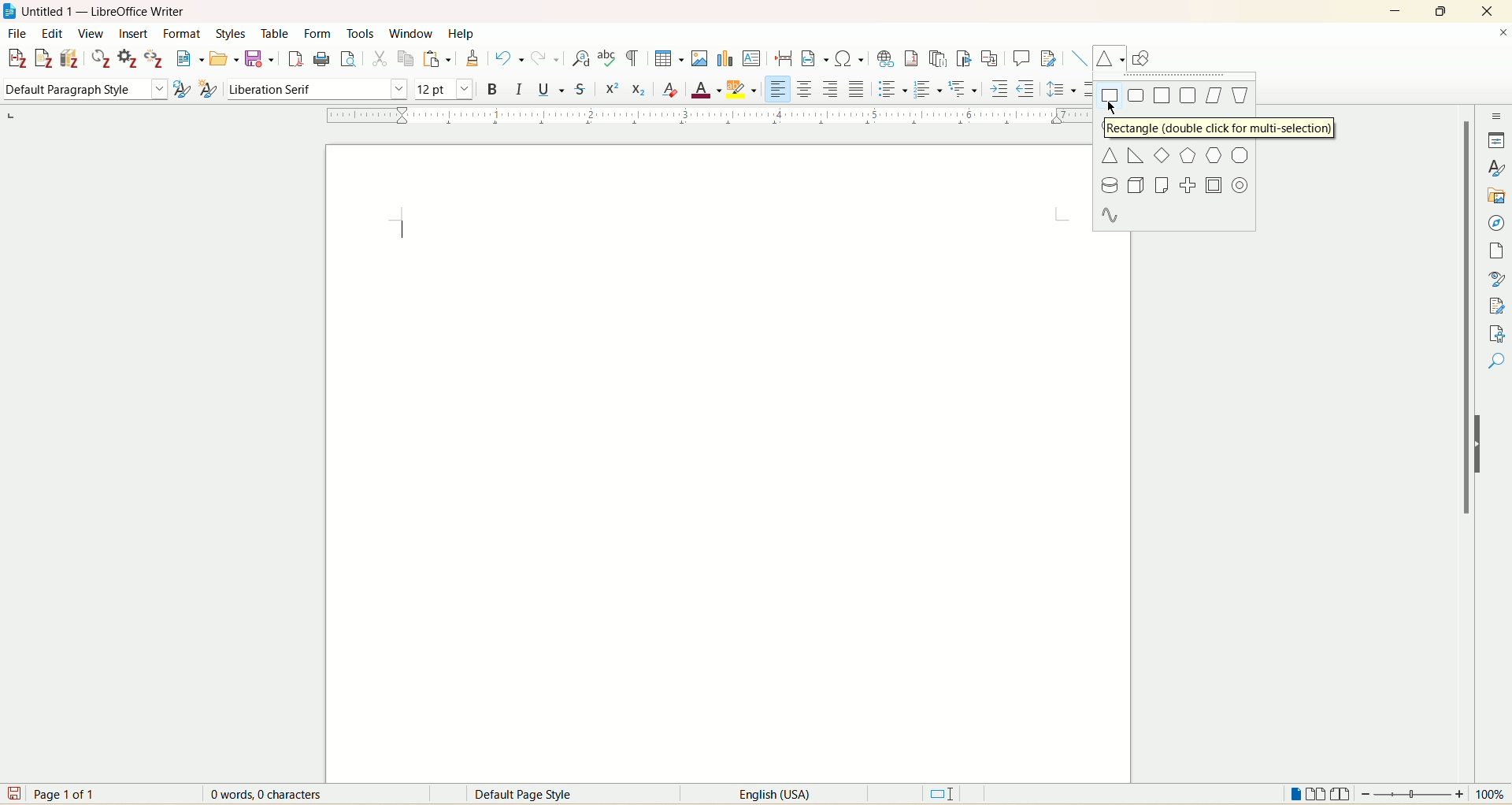 Image resolution: width=1512 pixels, height=805 pixels. Describe the element at coordinates (990, 57) in the screenshot. I see `insert cross references` at that location.